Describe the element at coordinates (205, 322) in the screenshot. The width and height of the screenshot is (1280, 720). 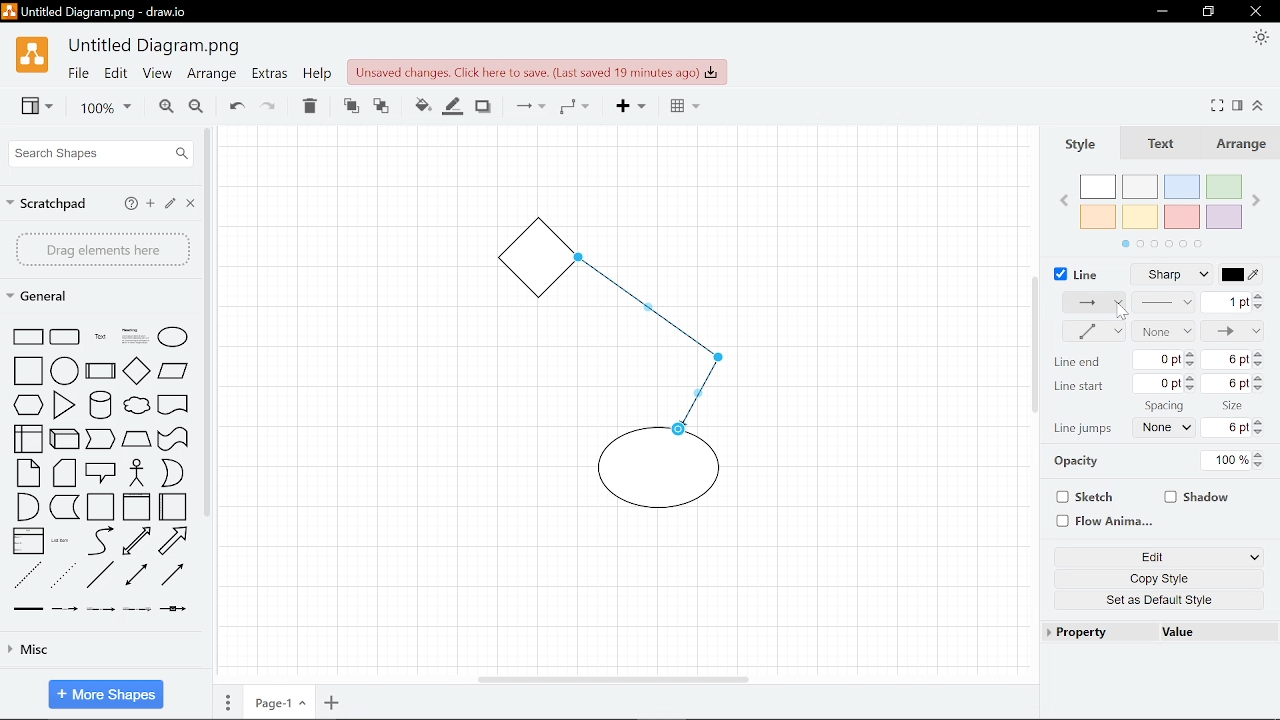
I see `scroll bar` at that location.